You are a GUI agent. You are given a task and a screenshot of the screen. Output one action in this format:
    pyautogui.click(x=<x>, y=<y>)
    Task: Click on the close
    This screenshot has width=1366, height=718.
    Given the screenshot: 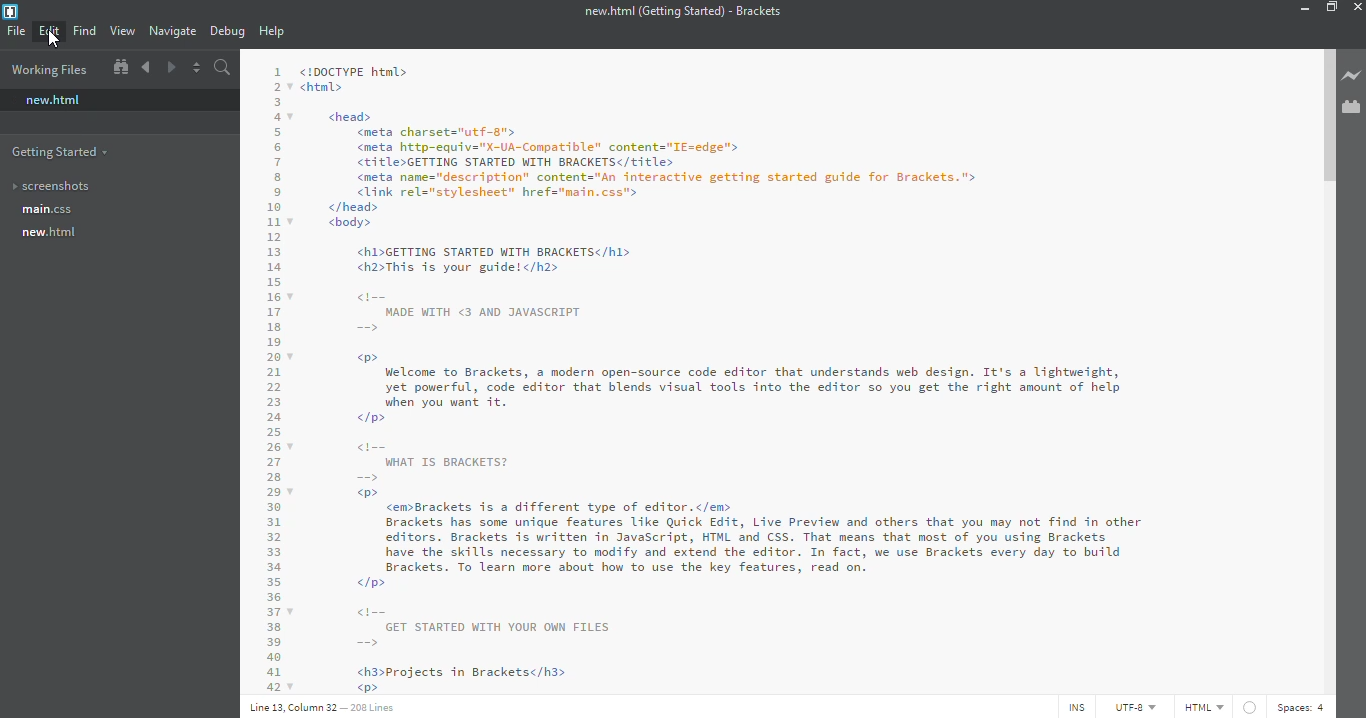 What is the action you would take?
    pyautogui.click(x=1358, y=6)
    